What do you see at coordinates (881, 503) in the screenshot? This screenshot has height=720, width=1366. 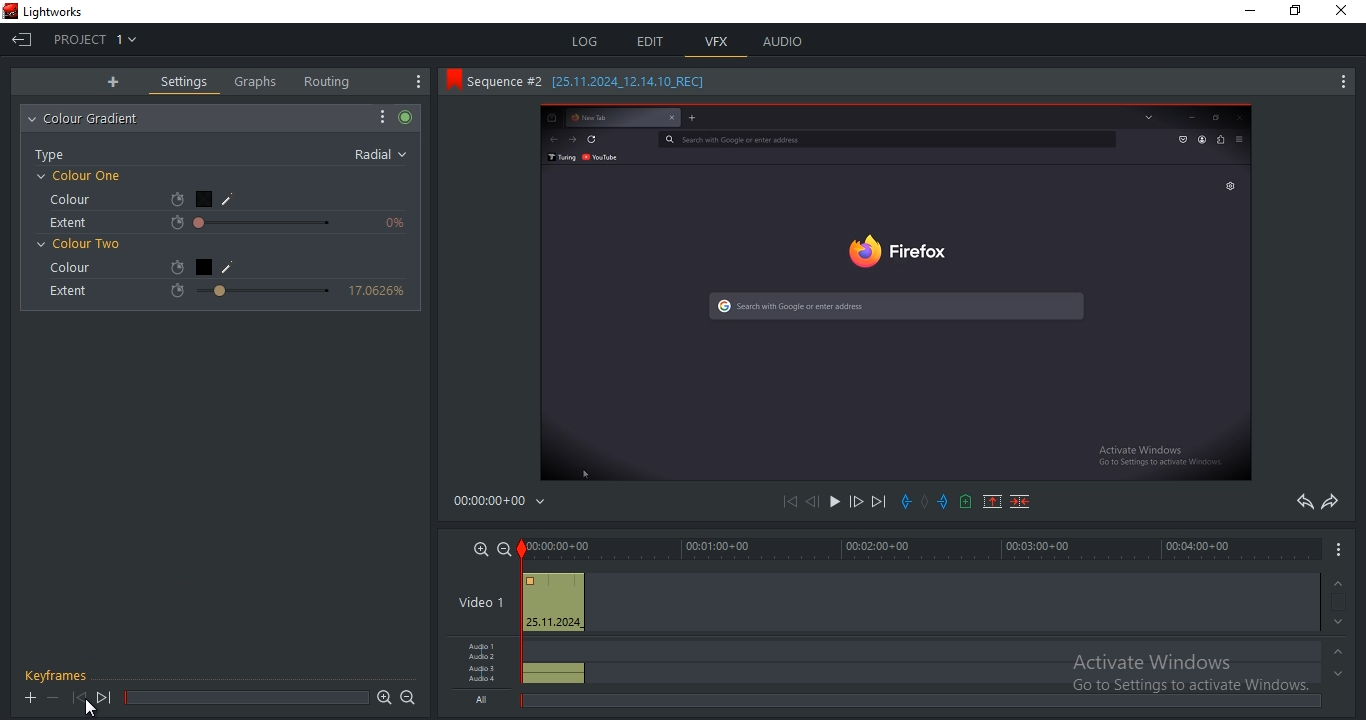 I see `move forward` at bounding box center [881, 503].